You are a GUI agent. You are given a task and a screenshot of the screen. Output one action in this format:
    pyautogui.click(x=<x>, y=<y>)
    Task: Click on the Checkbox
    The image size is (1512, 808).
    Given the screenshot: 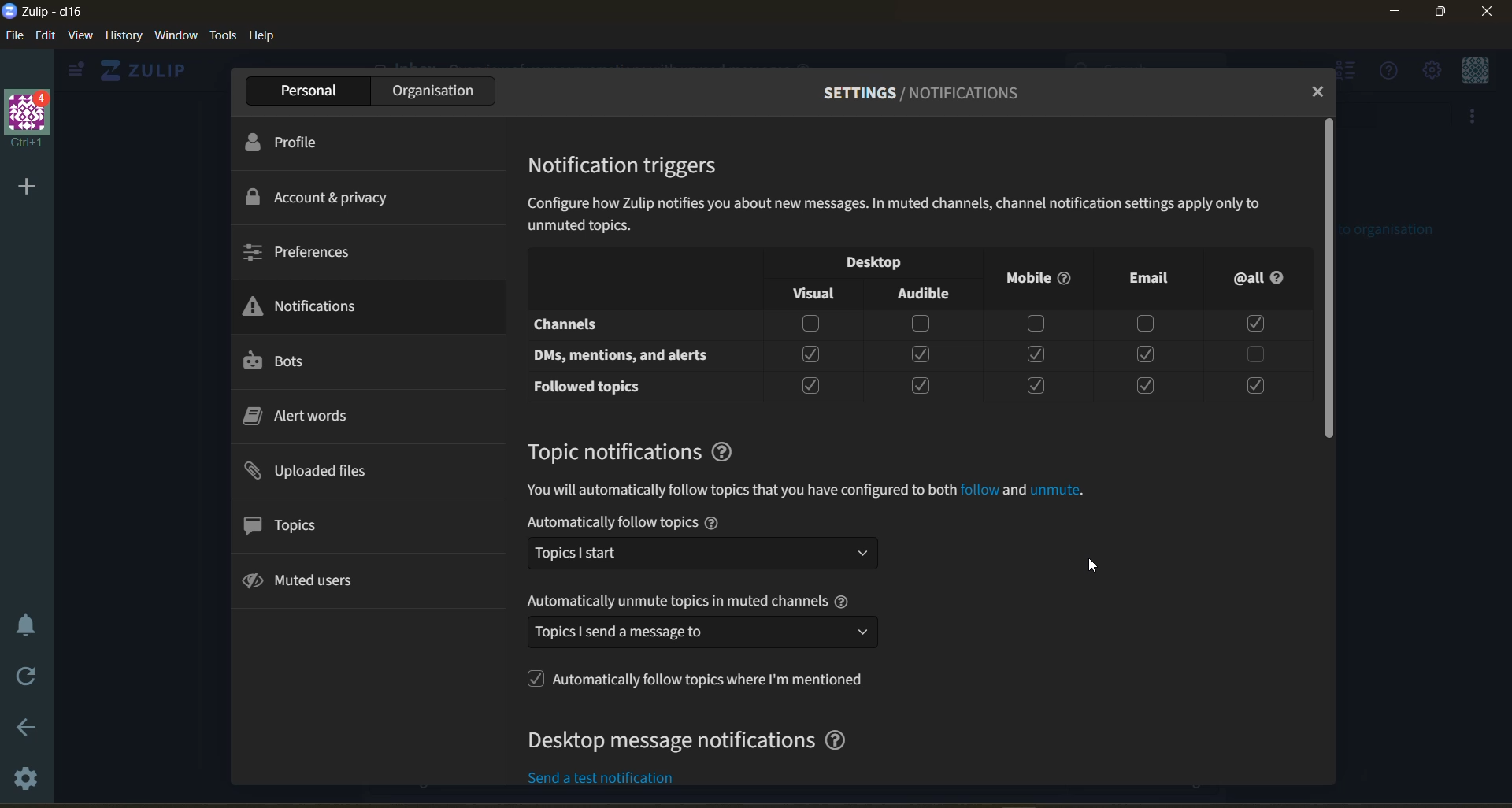 What is the action you would take?
    pyautogui.click(x=1144, y=355)
    